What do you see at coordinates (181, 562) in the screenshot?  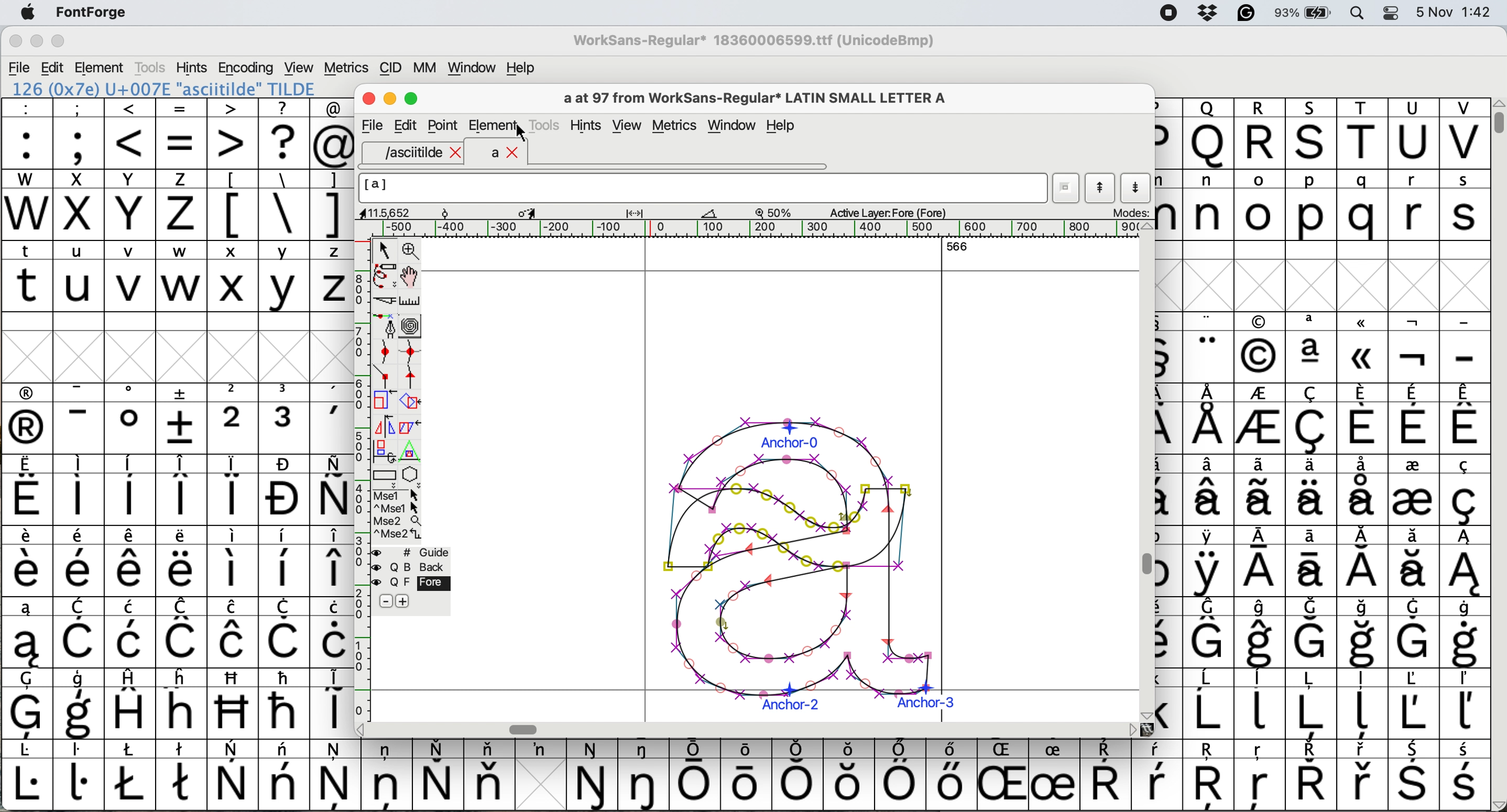 I see `symbol` at bounding box center [181, 562].